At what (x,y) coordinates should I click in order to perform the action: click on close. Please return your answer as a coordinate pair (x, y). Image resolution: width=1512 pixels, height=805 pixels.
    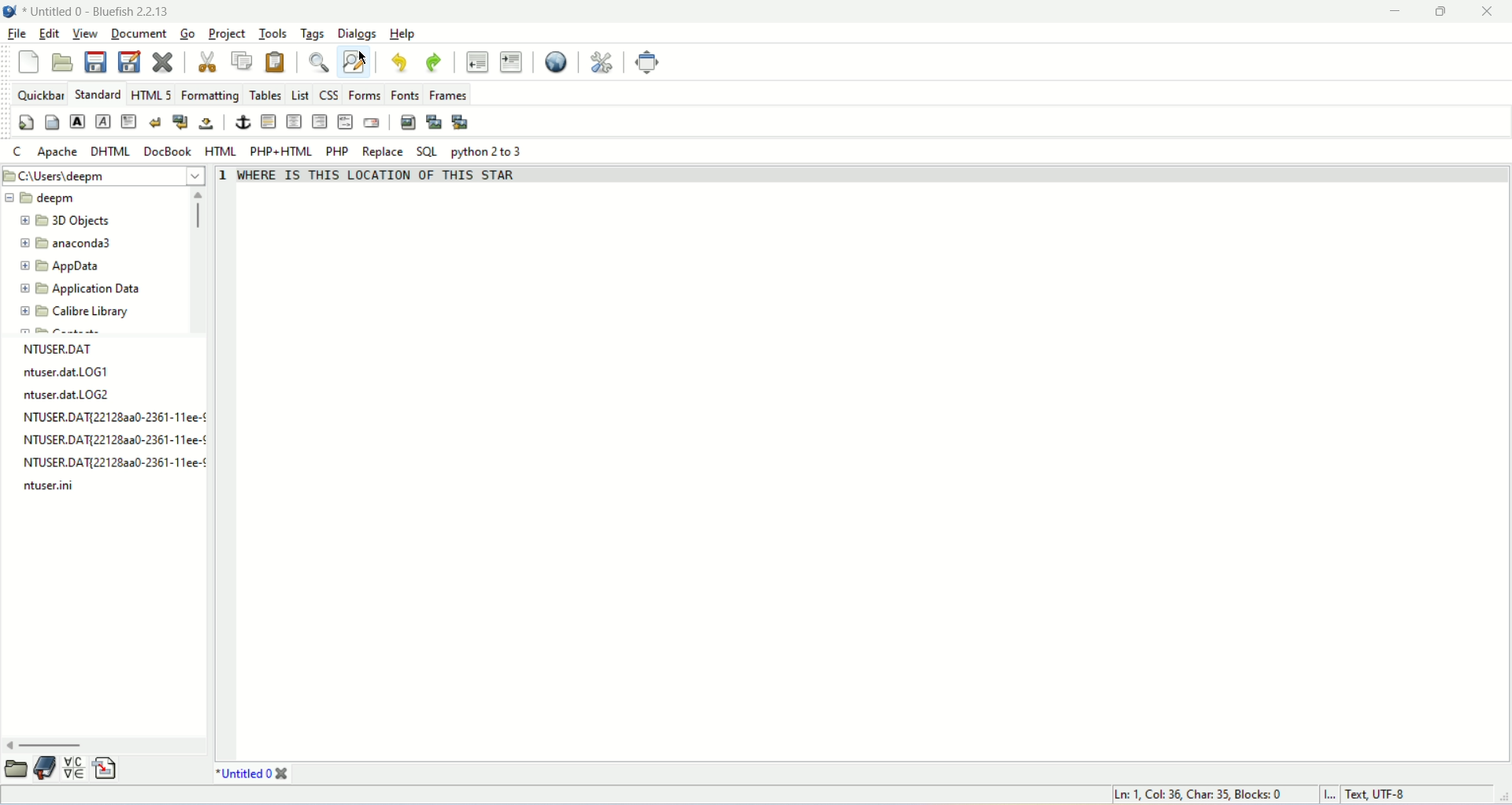
    Looking at the image, I should click on (1493, 12).